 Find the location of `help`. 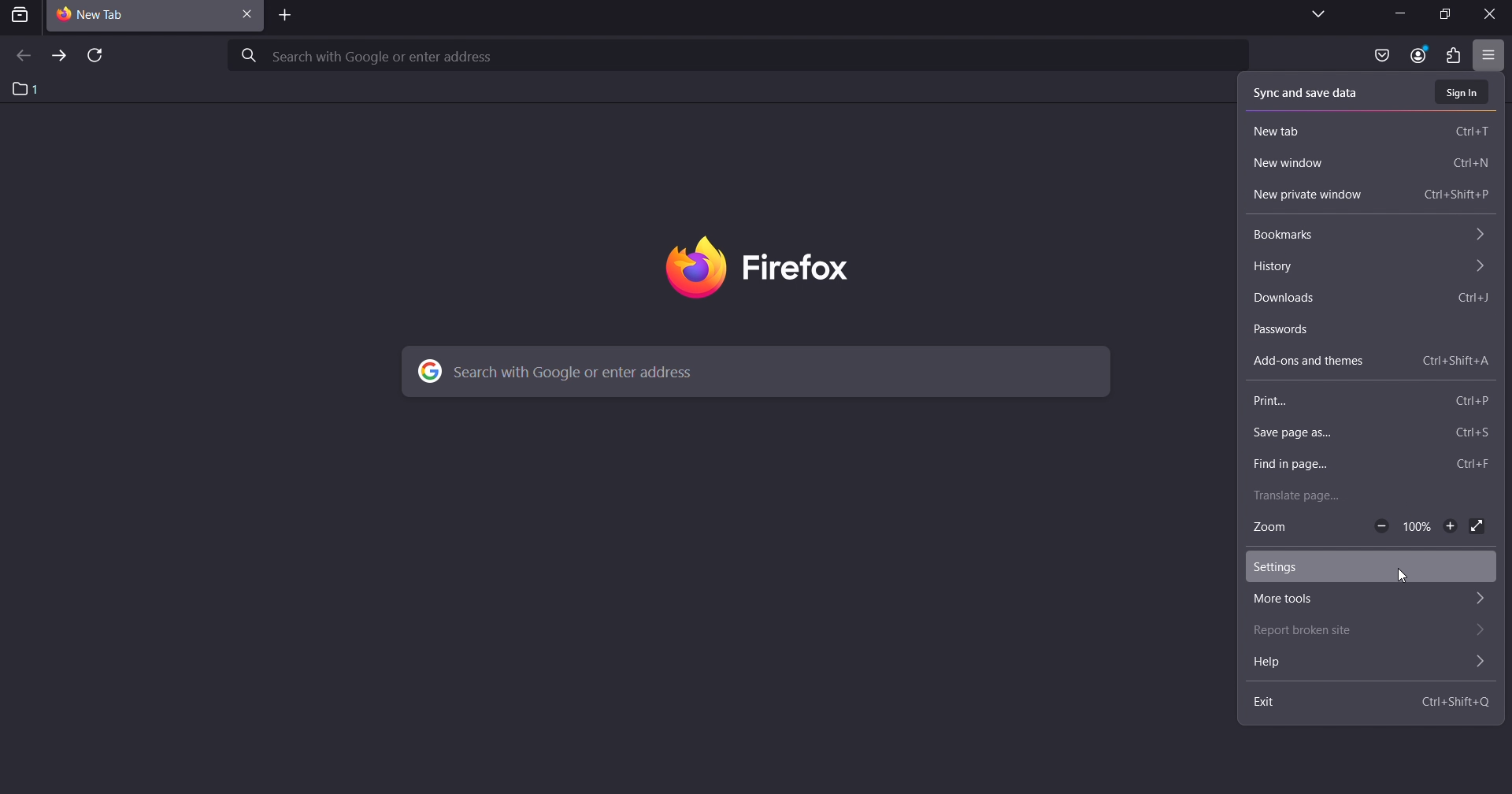

help is located at coordinates (1366, 663).